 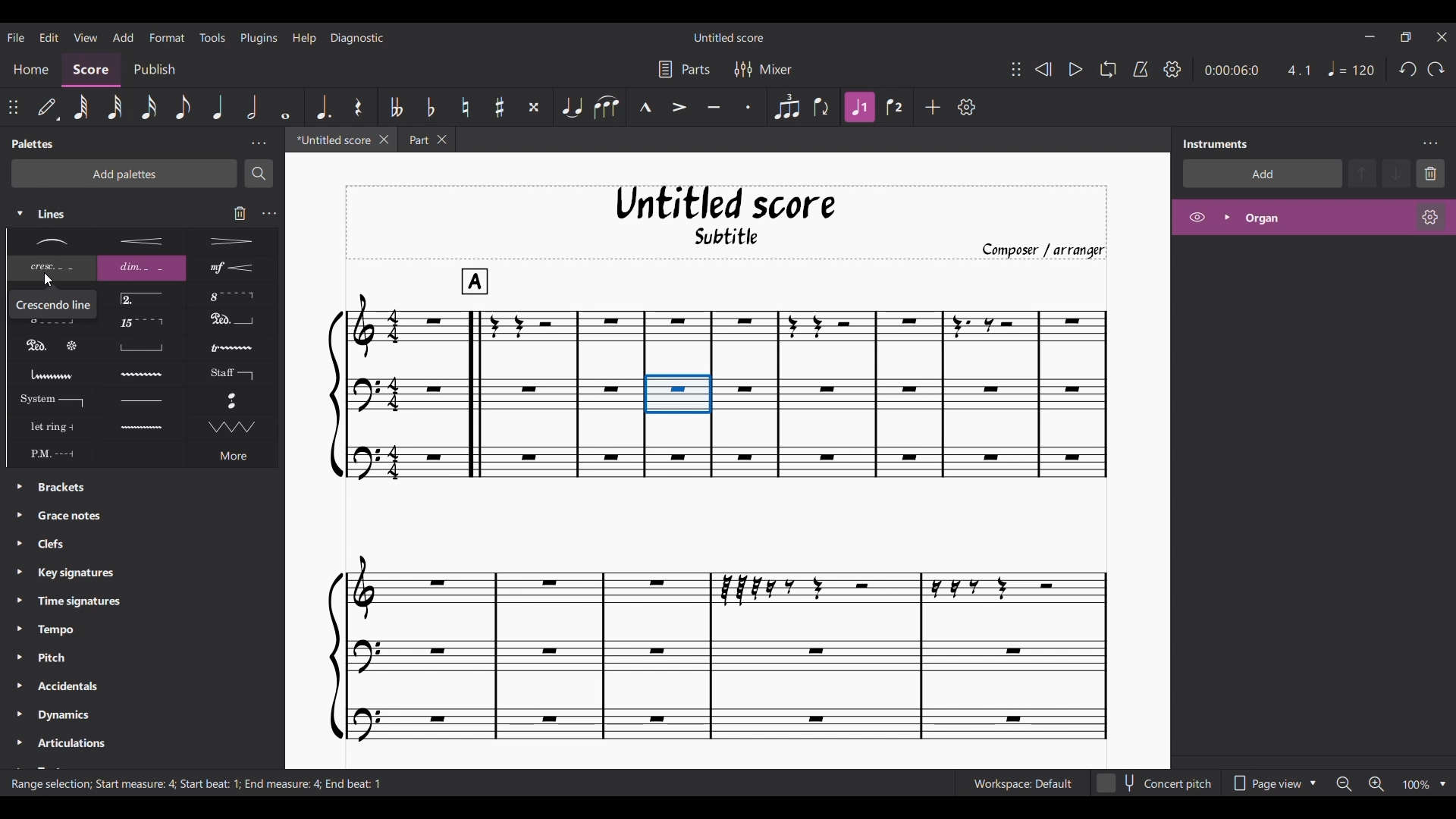 What do you see at coordinates (149, 108) in the screenshot?
I see `16th note` at bounding box center [149, 108].